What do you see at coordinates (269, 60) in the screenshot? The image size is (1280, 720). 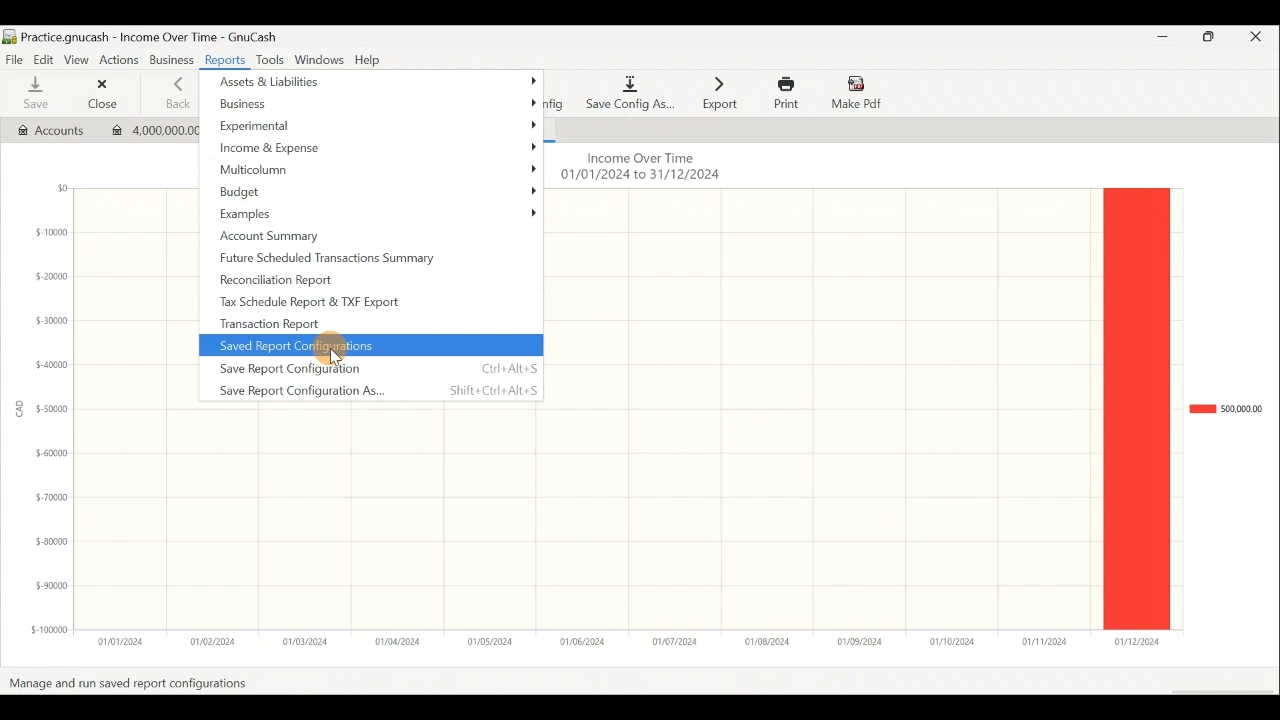 I see `Tools` at bounding box center [269, 60].